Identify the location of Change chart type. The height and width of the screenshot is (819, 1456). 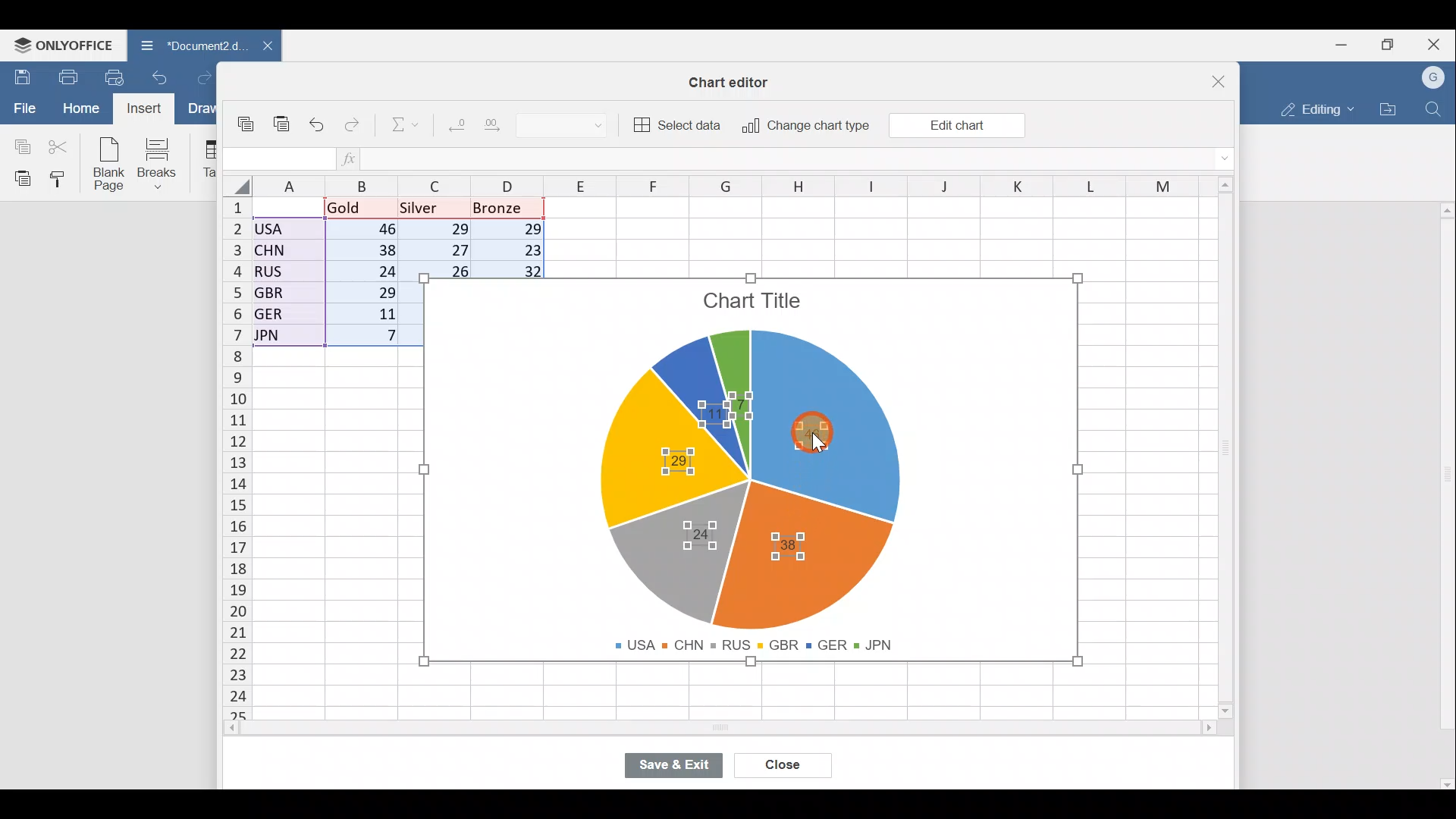
(801, 127).